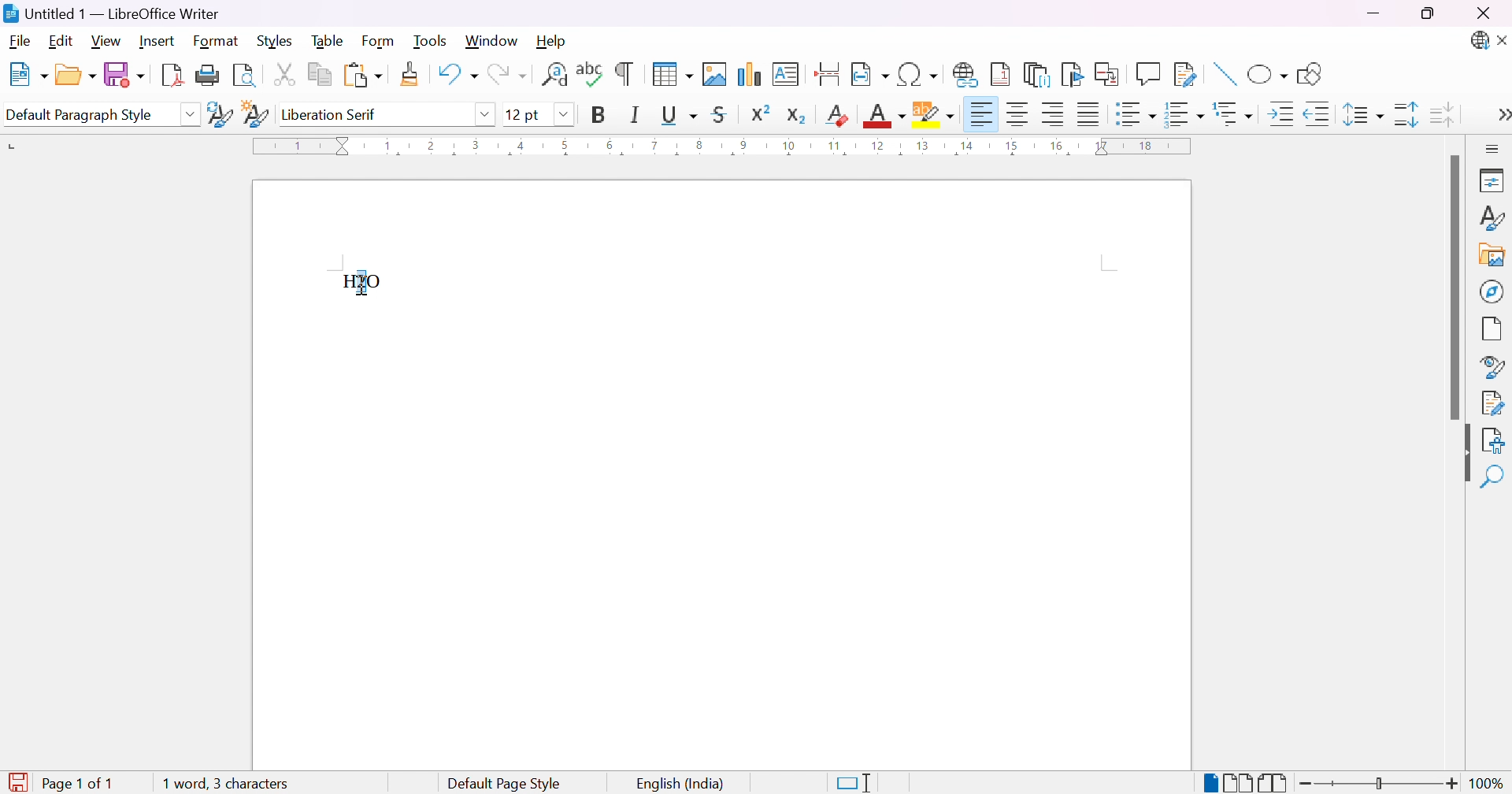 Image resolution: width=1512 pixels, height=794 pixels. What do you see at coordinates (751, 76) in the screenshot?
I see `Insert chart` at bounding box center [751, 76].